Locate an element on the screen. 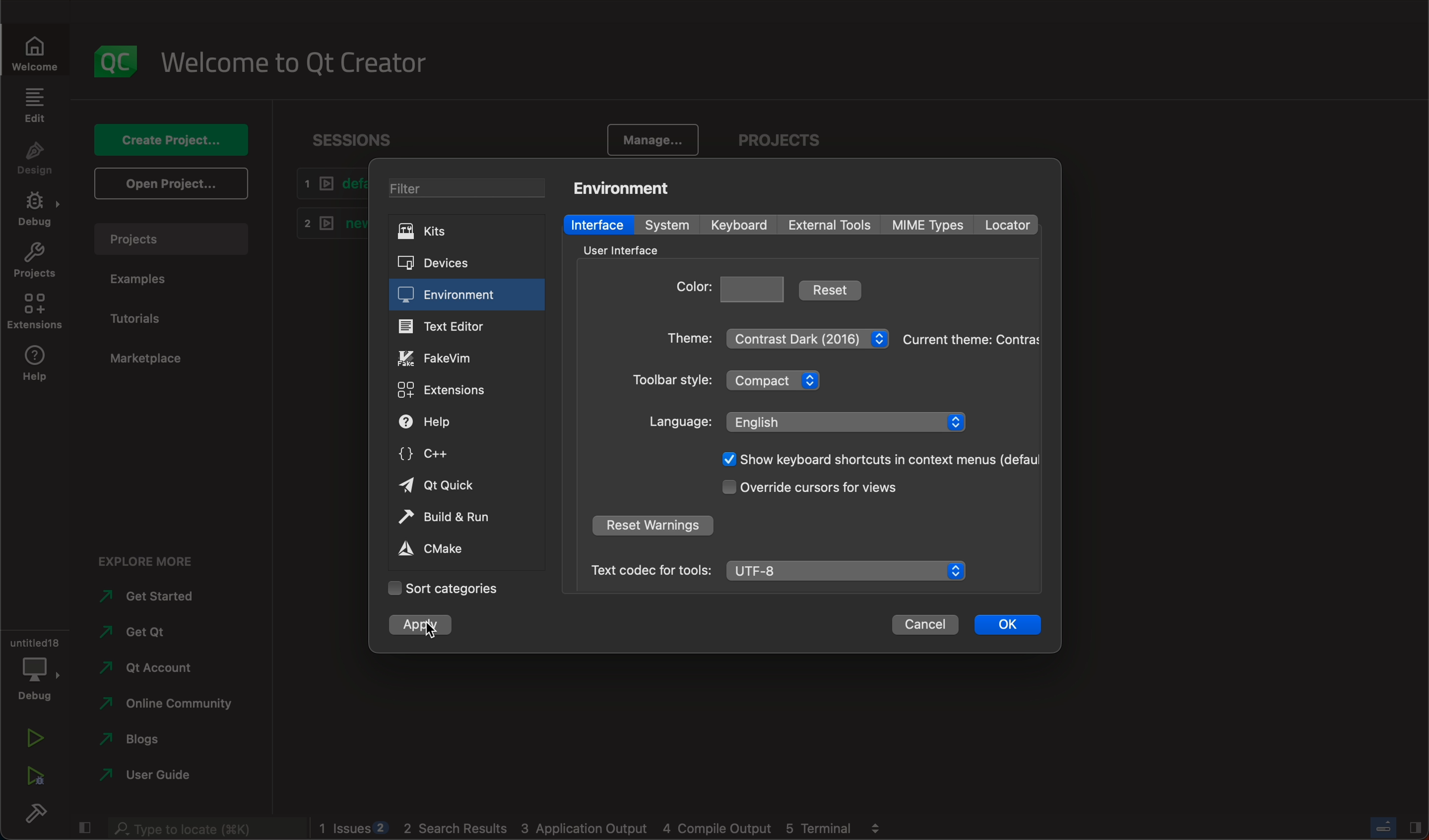 This screenshot has height=840, width=1429. types is located at coordinates (933, 225).